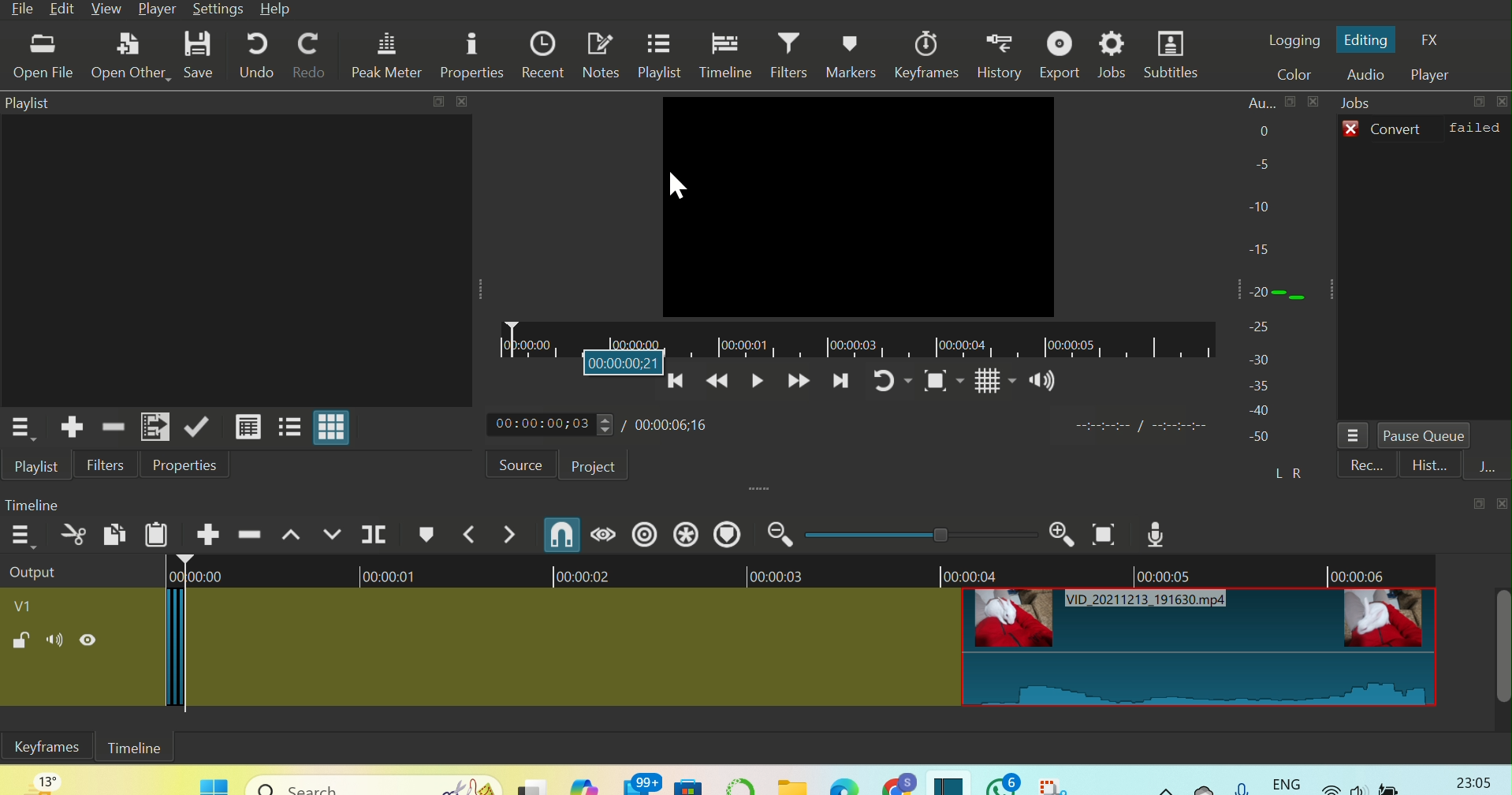 The width and height of the screenshot is (1512, 795). What do you see at coordinates (248, 533) in the screenshot?
I see `Ripple` at bounding box center [248, 533].